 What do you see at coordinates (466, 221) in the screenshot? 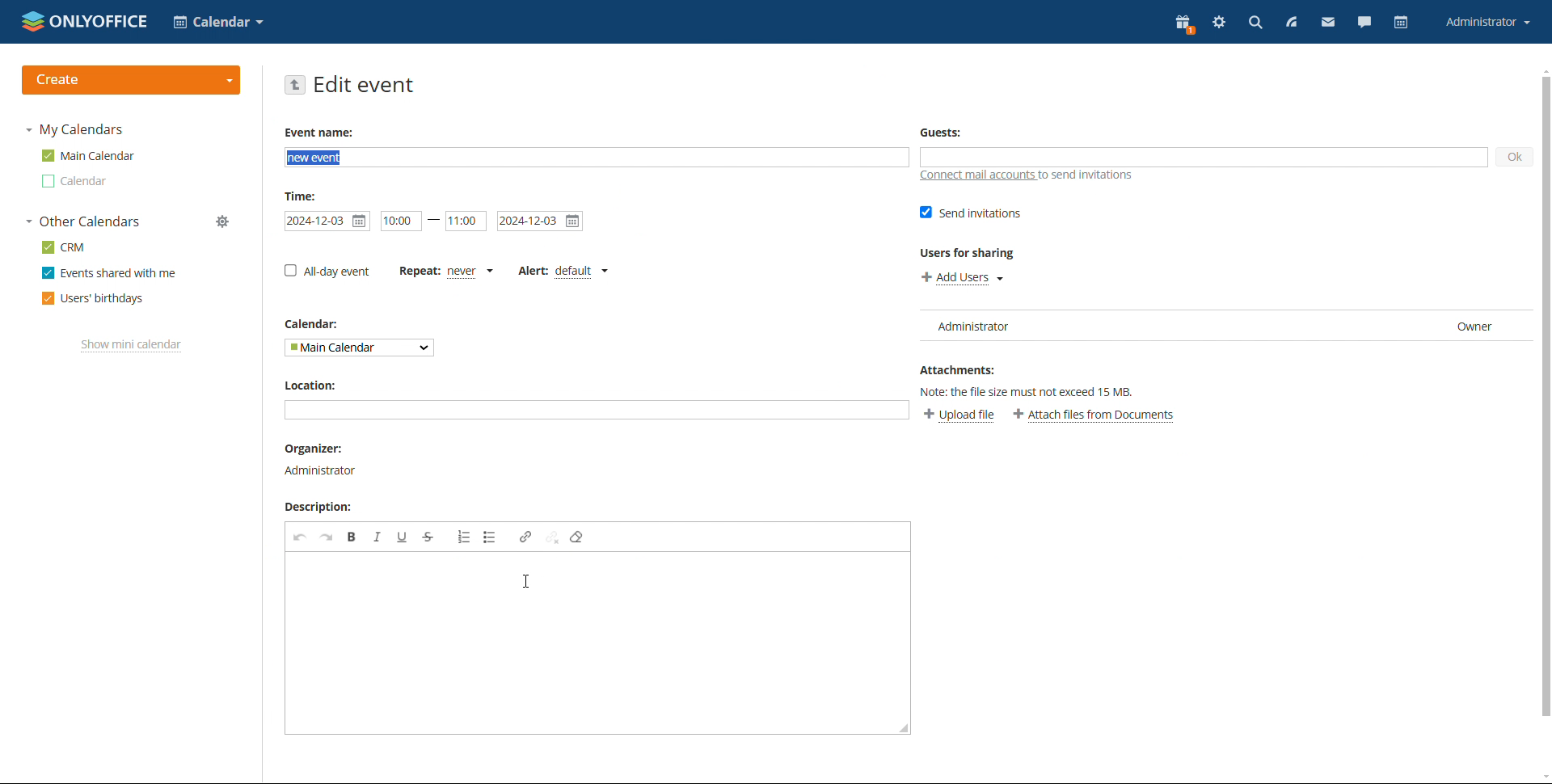
I see `end time` at bounding box center [466, 221].